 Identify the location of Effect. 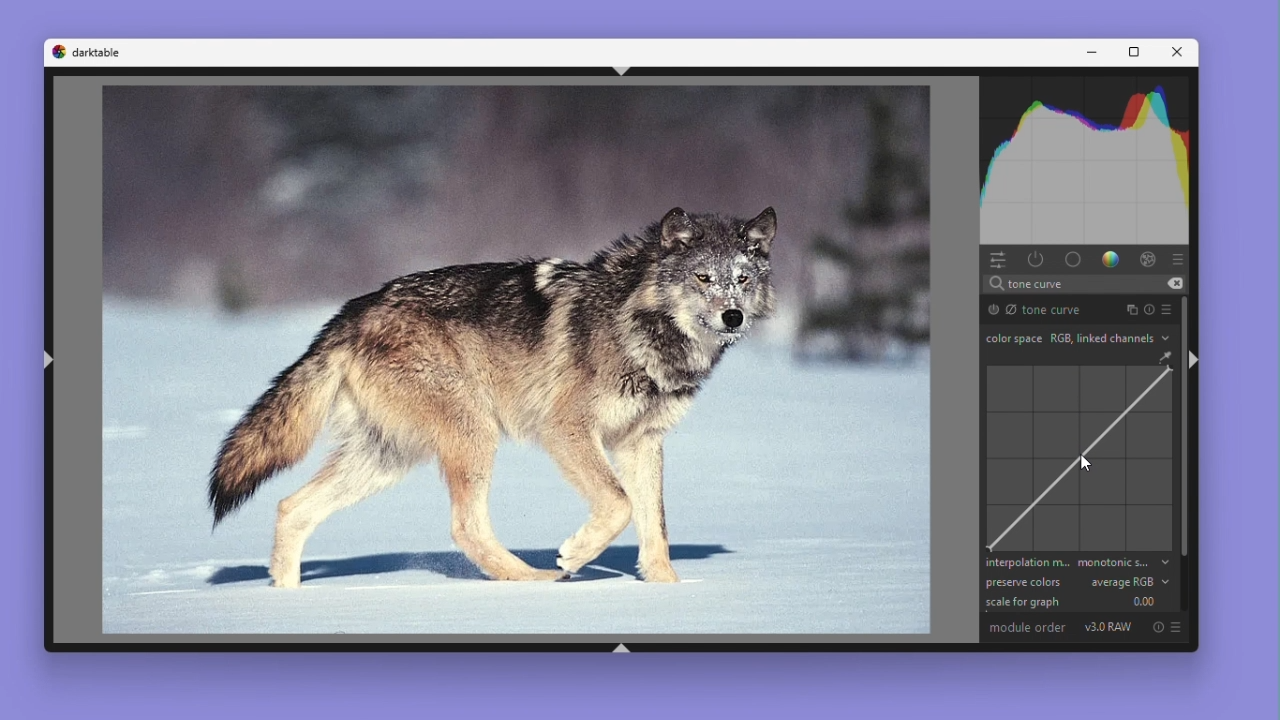
(1145, 260).